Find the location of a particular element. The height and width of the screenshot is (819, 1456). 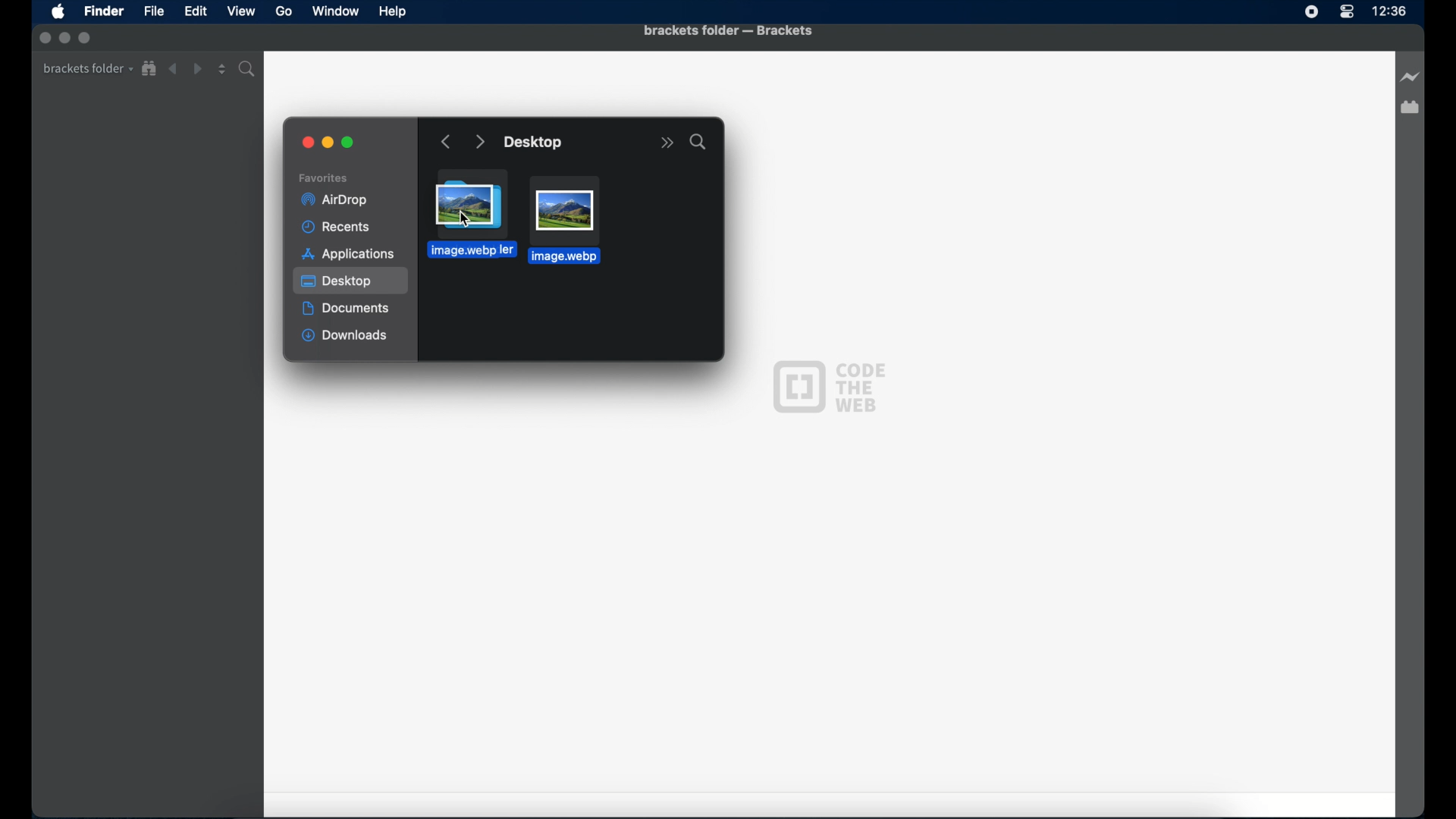

desktop is located at coordinates (535, 143).